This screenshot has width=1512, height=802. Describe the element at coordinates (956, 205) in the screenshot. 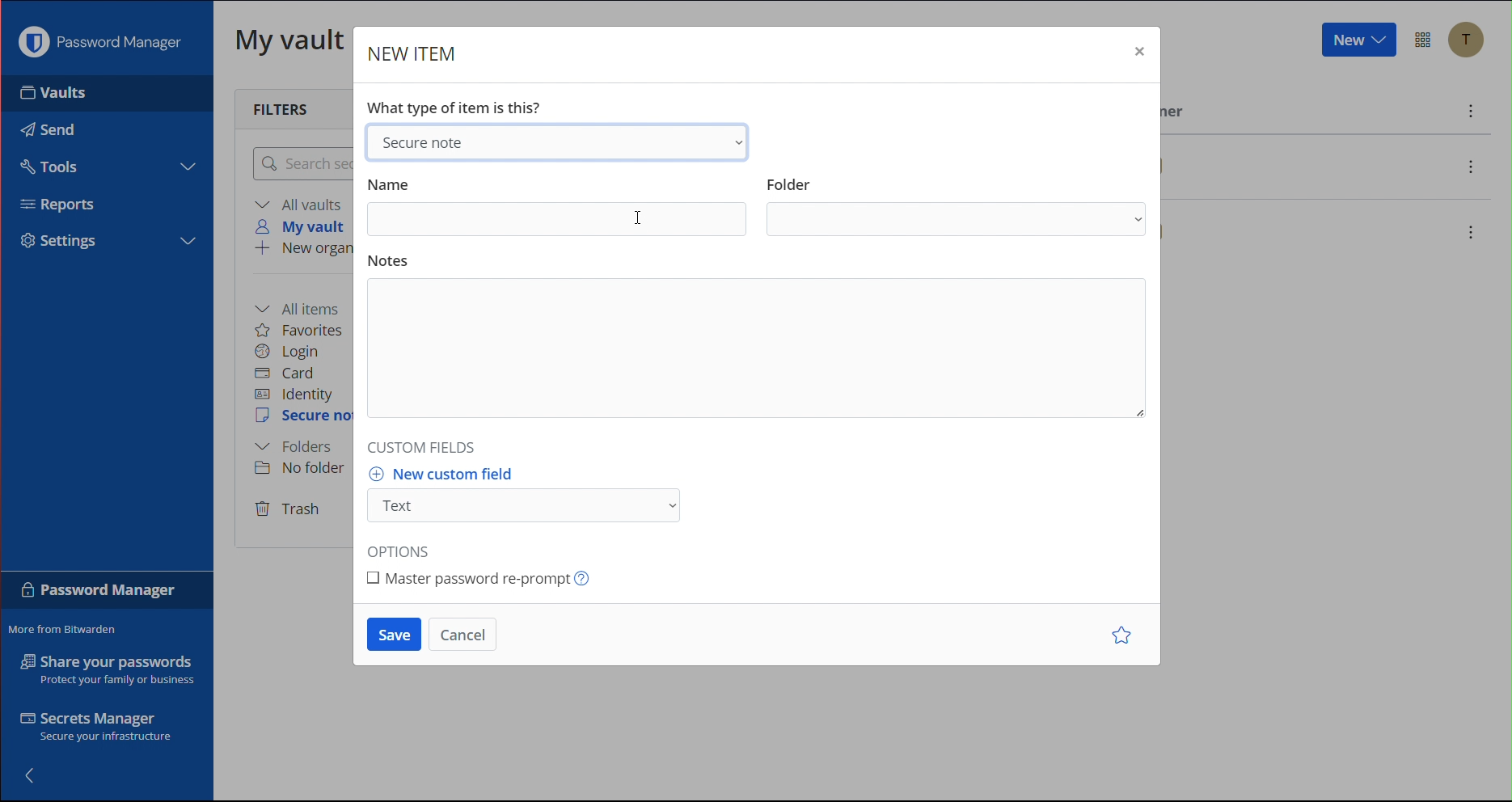

I see `Folder` at that location.